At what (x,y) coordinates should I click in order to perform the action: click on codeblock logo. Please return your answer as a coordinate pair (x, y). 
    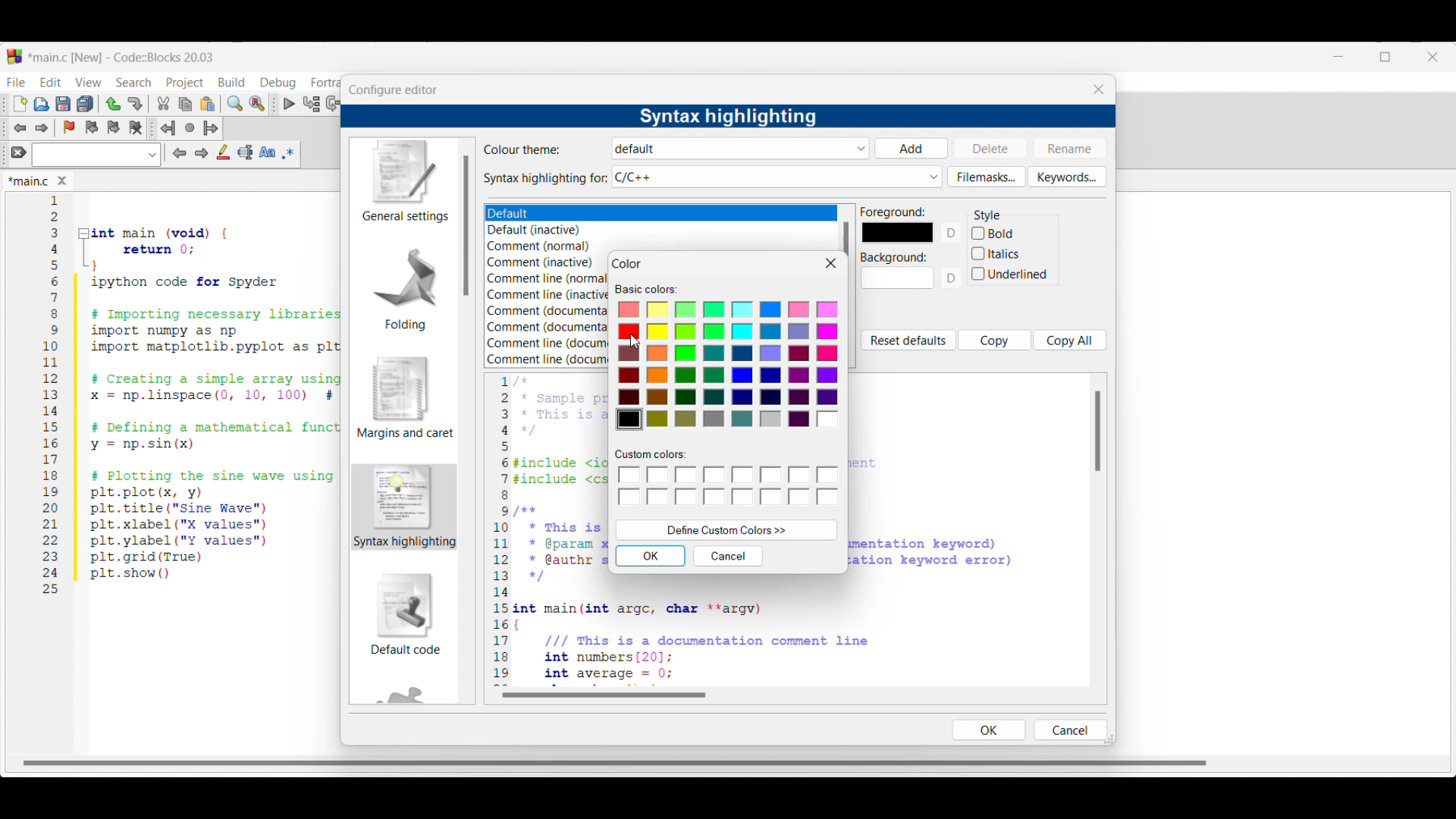
    Looking at the image, I should click on (14, 57).